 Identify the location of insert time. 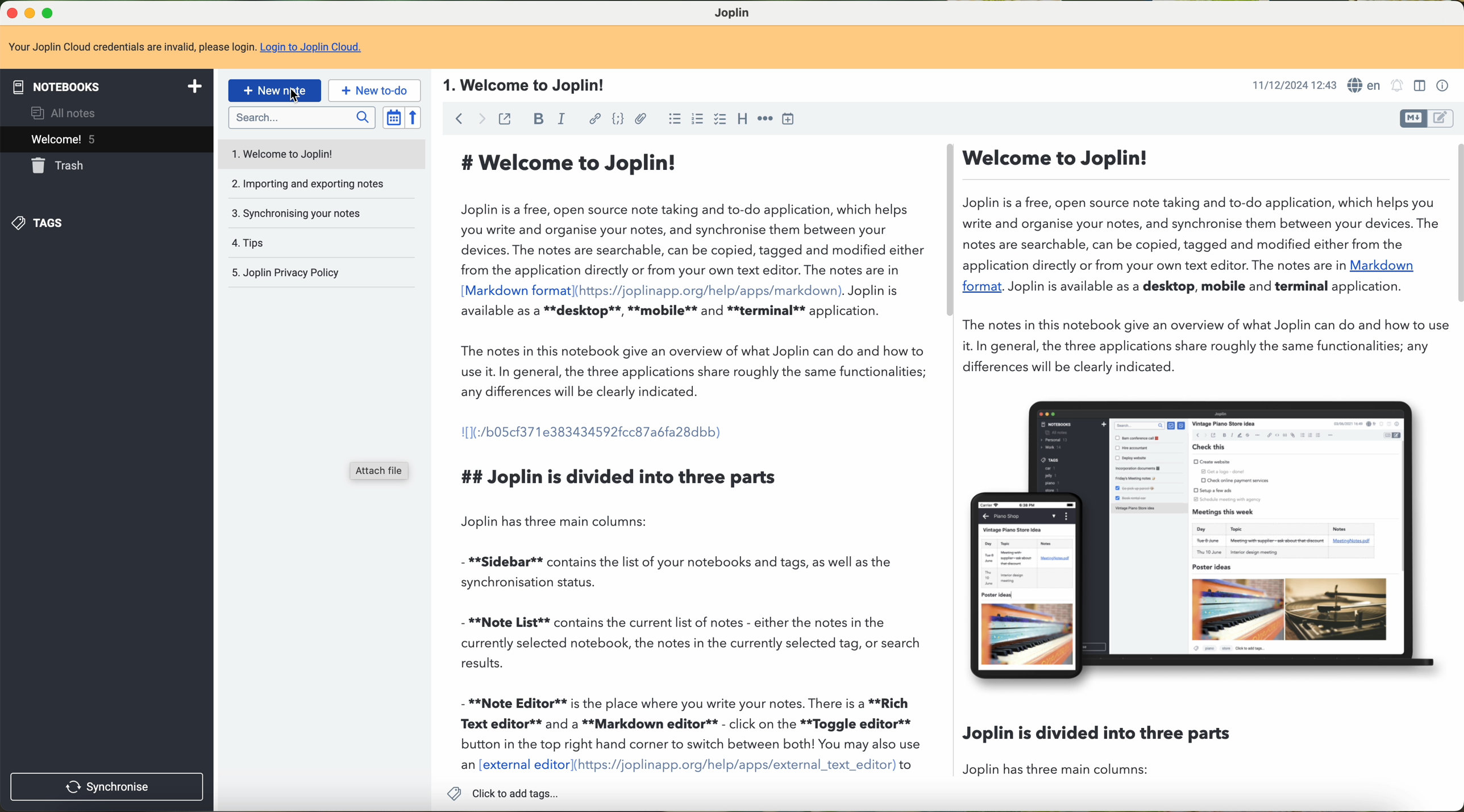
(788, 120).